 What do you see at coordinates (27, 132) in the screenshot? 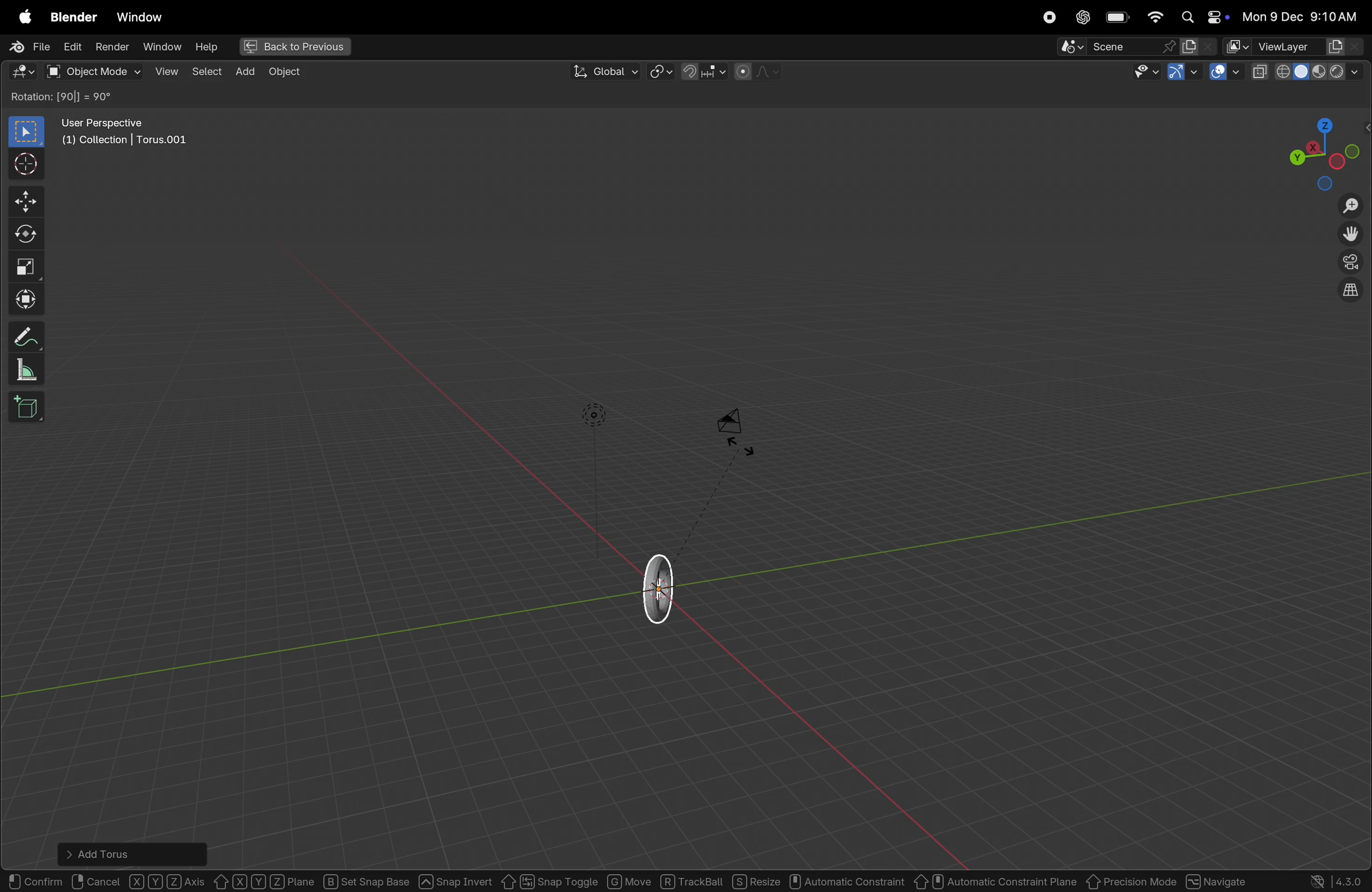
I see `select` at bounding box center [27, 132].